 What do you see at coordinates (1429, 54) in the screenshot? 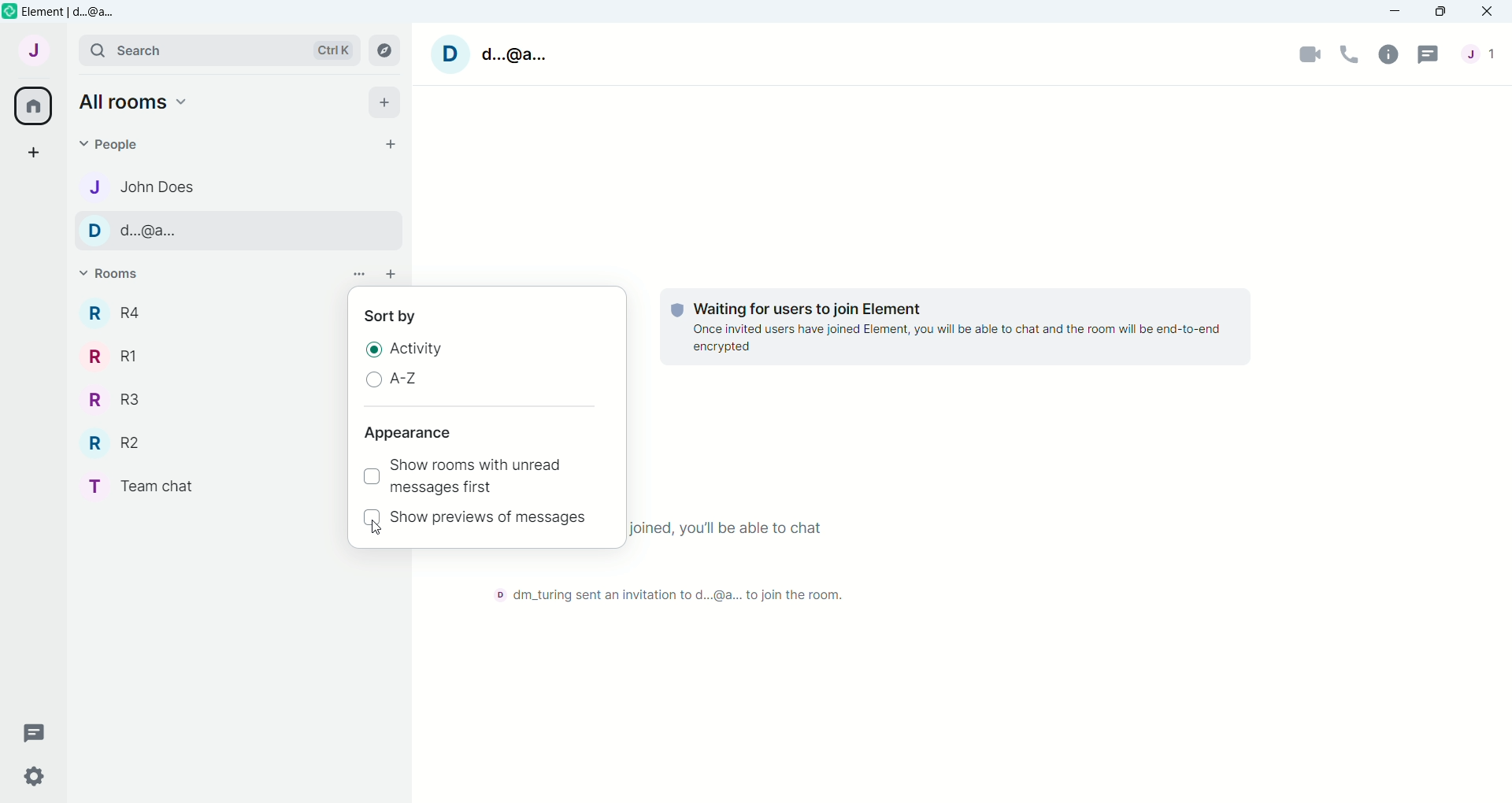
I see `Threads` at bounding box center [1429, 54].